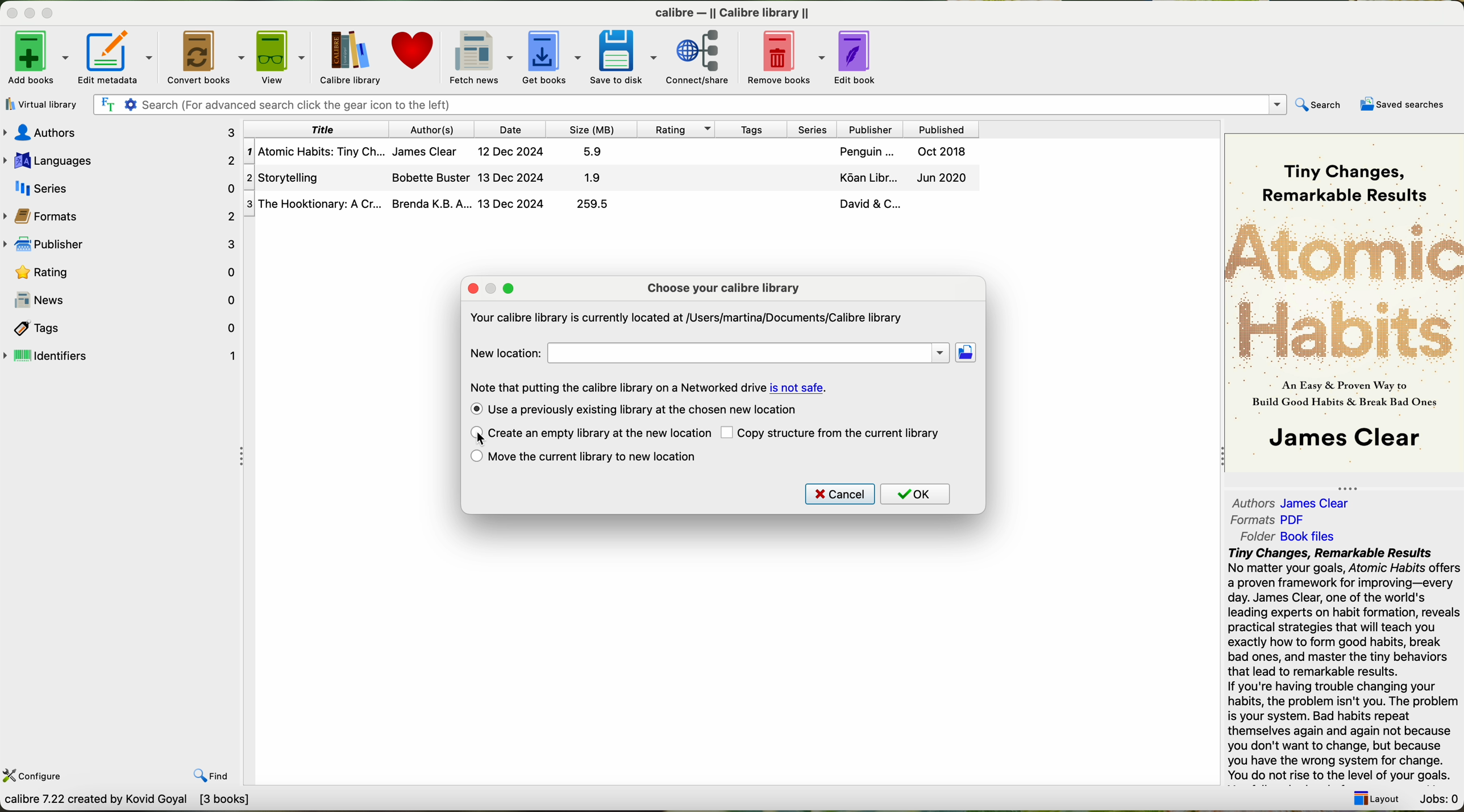 This screenshot has width=1464, height=812. Describe the element at coordinates (414, 56) in the screenshot. I see `donate` at that location.